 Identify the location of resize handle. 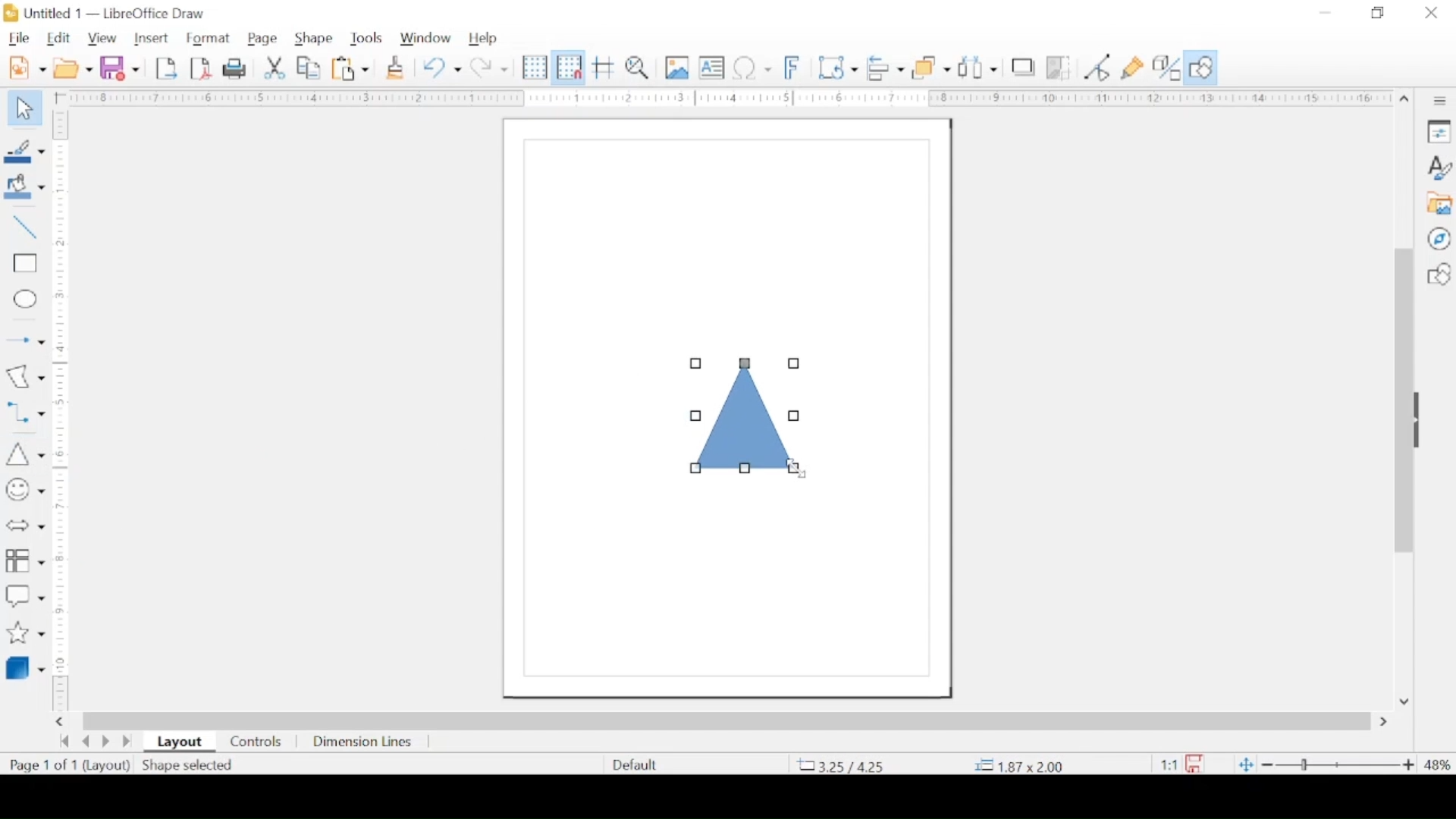
(694, 416).